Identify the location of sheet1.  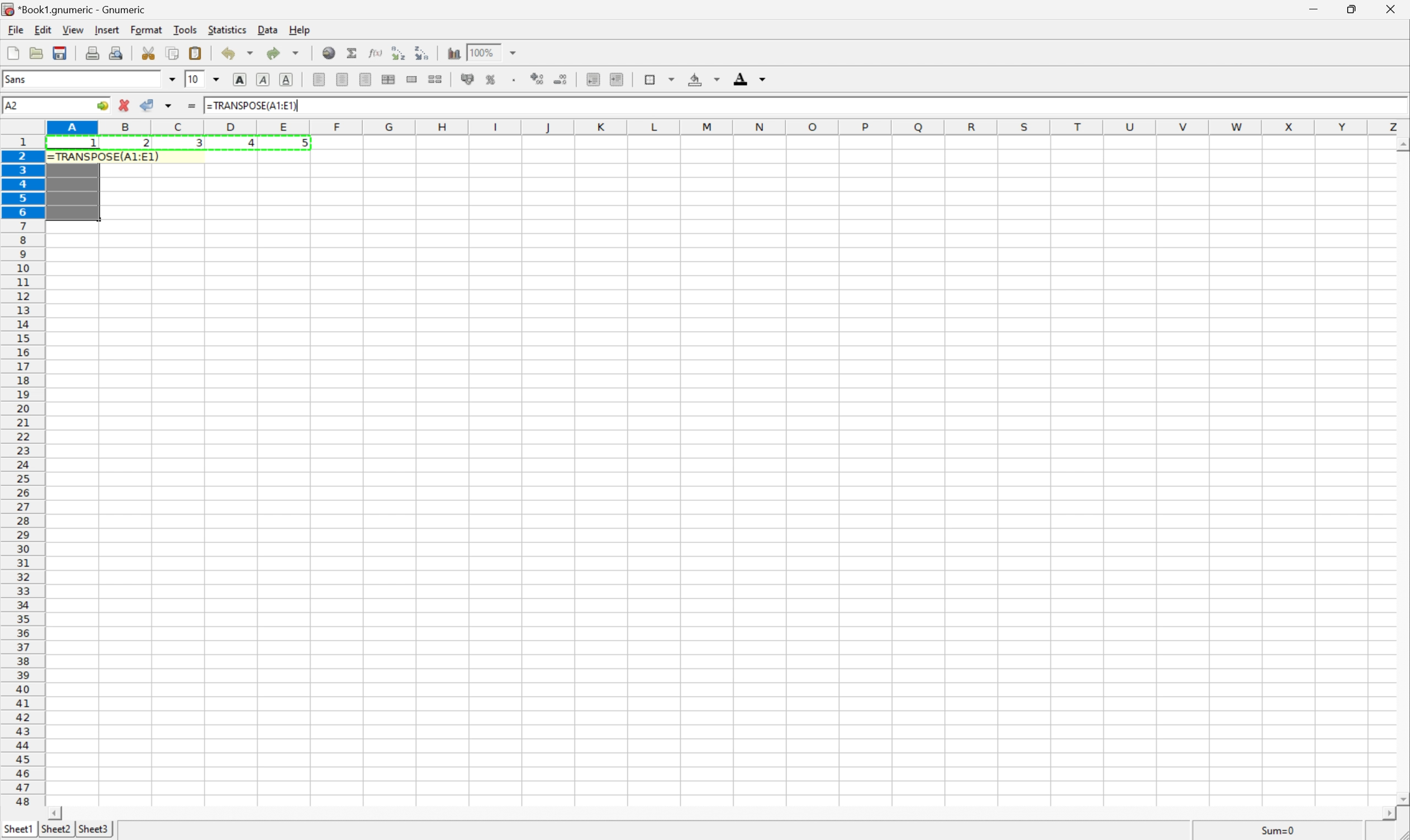
(17, 832).